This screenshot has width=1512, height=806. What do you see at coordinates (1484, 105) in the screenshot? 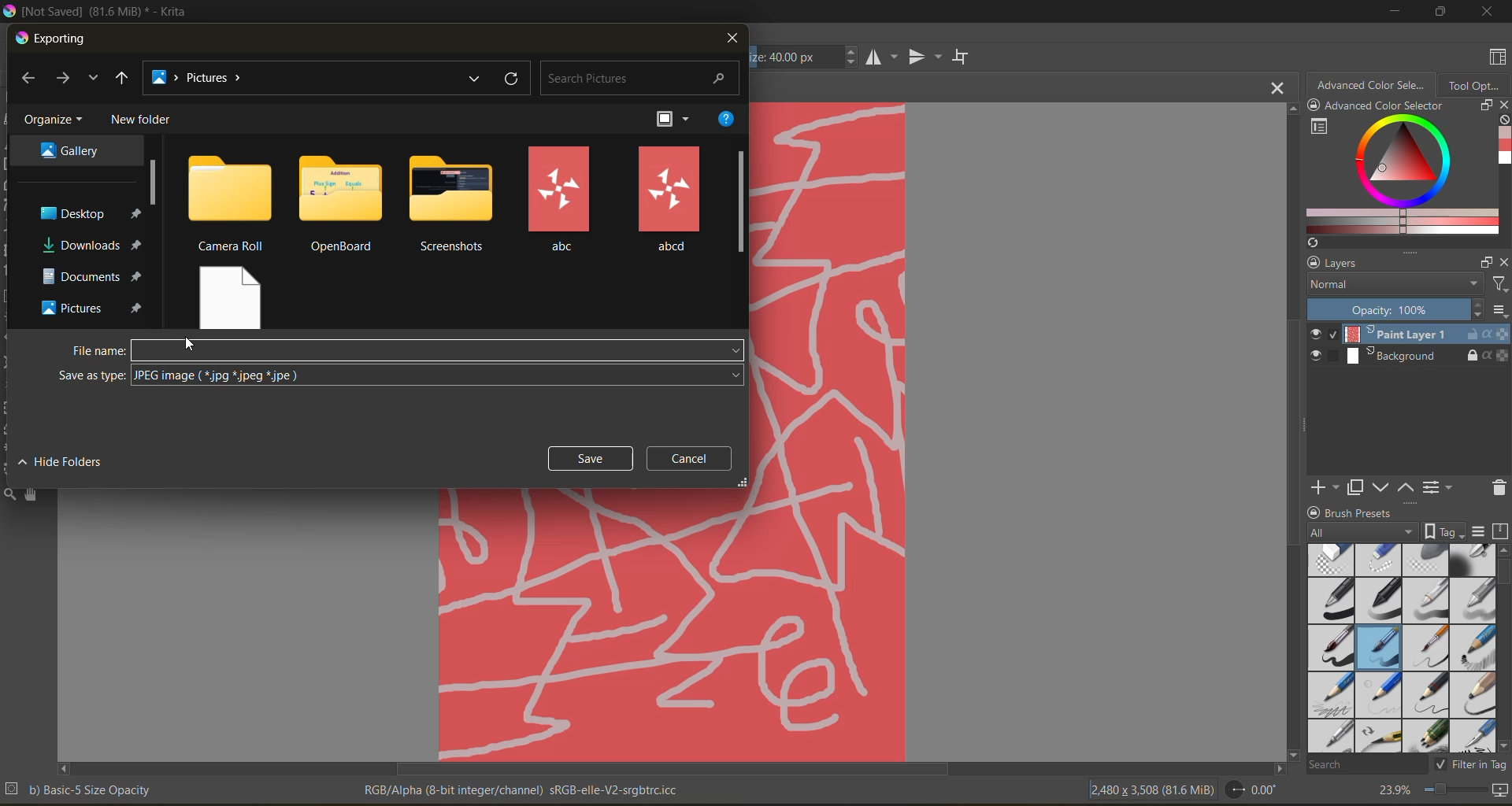
I see `float docker` at bounding box center [1484, 105].